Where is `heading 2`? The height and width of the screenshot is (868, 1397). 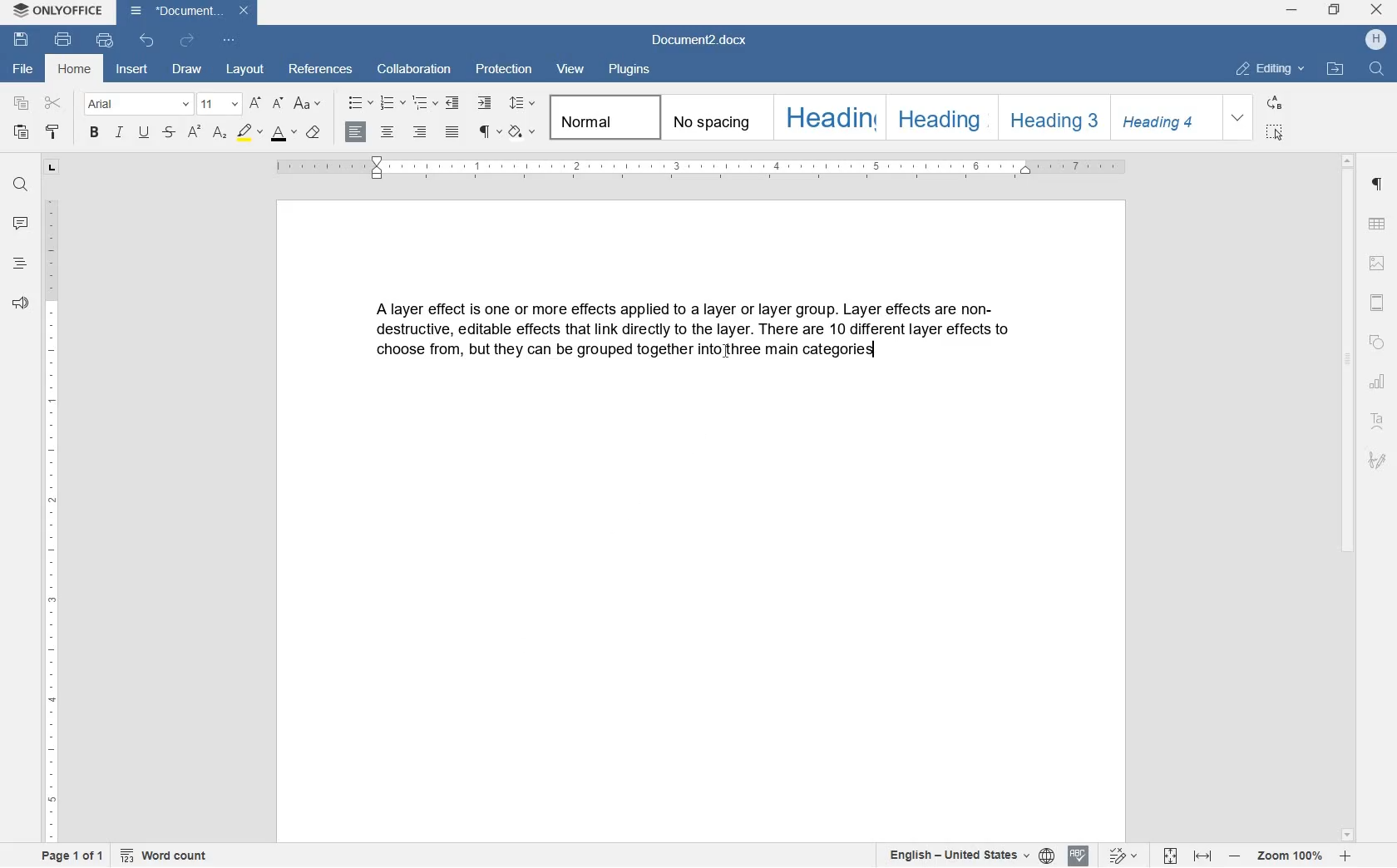
heading 2 is located at coordinates (939, 118).